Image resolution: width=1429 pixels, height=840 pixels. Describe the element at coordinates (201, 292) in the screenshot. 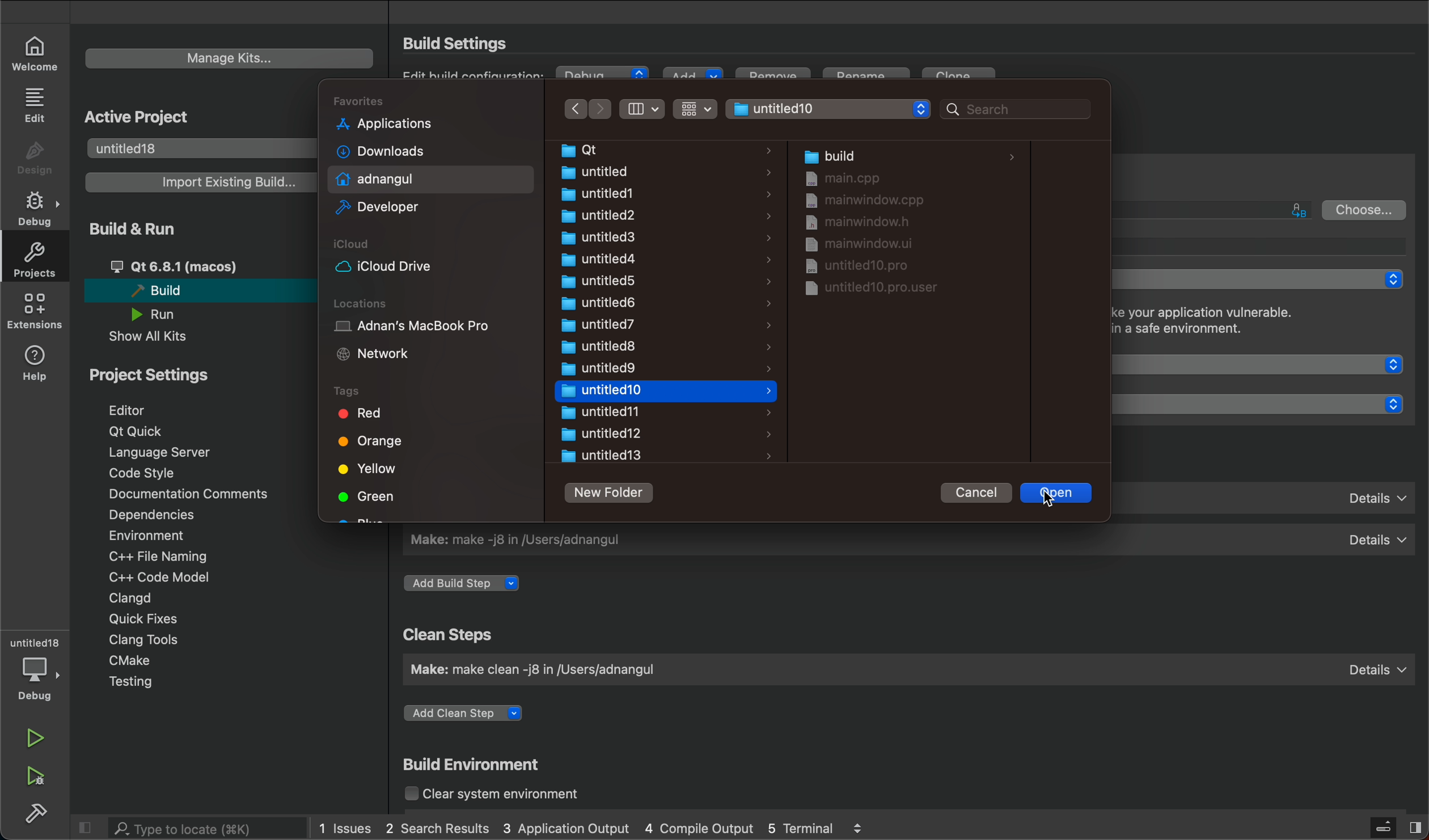

I see `build` at that location.